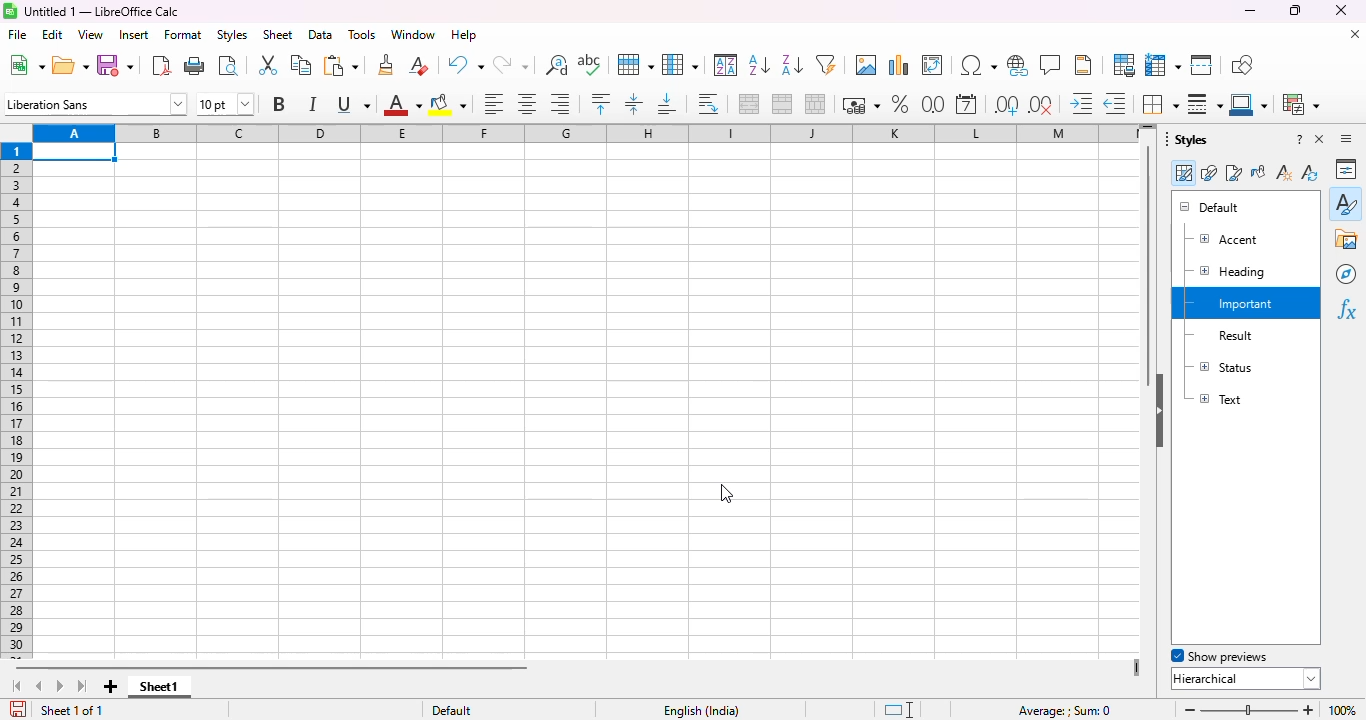 The height and width of the screenshot is (720, 1366). Describe the element at coordinates (10, 11) in the screenshot. I see `logo` at that location.